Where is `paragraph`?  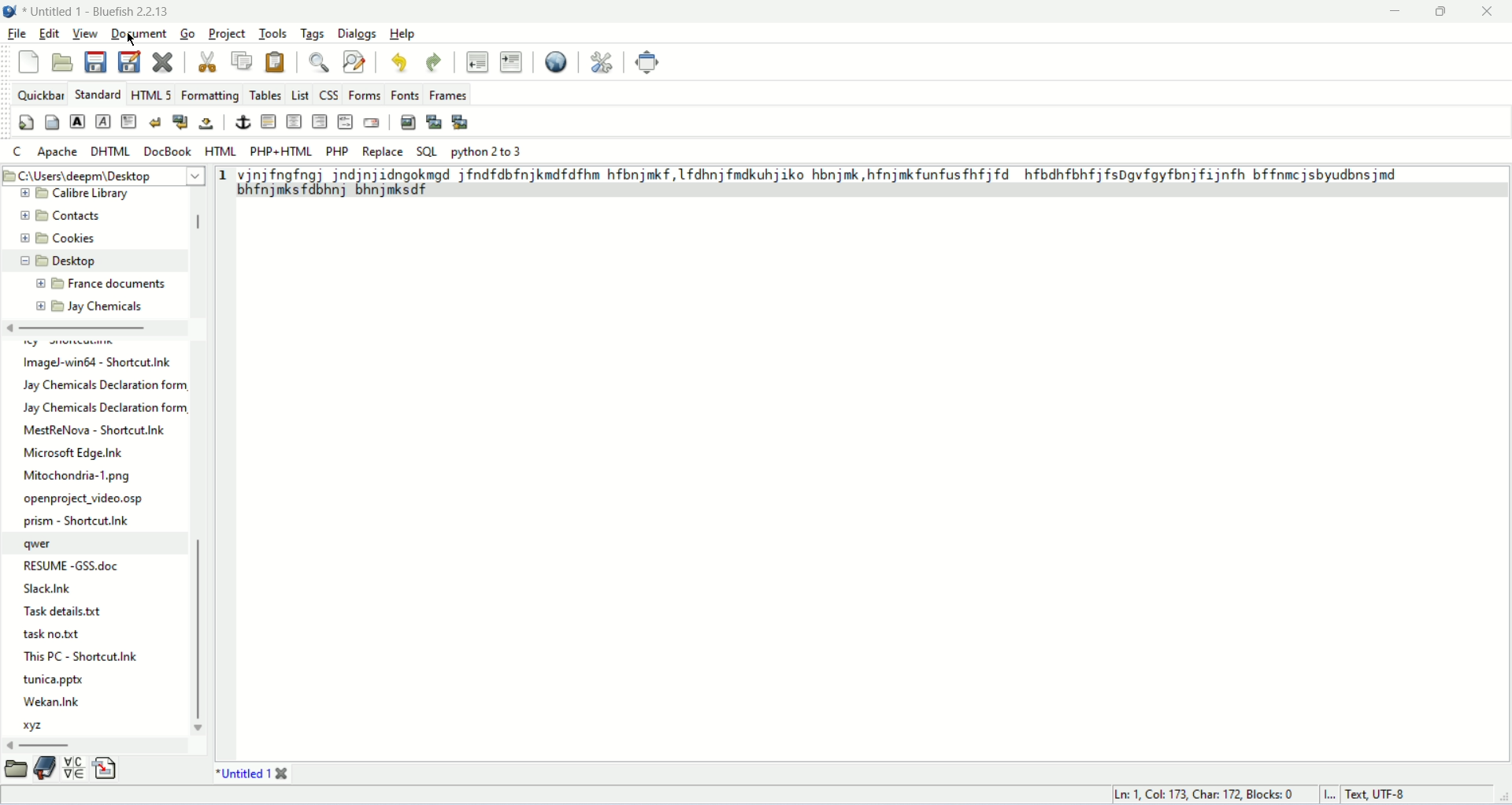
paragraph is located at coordinates (129, 121).